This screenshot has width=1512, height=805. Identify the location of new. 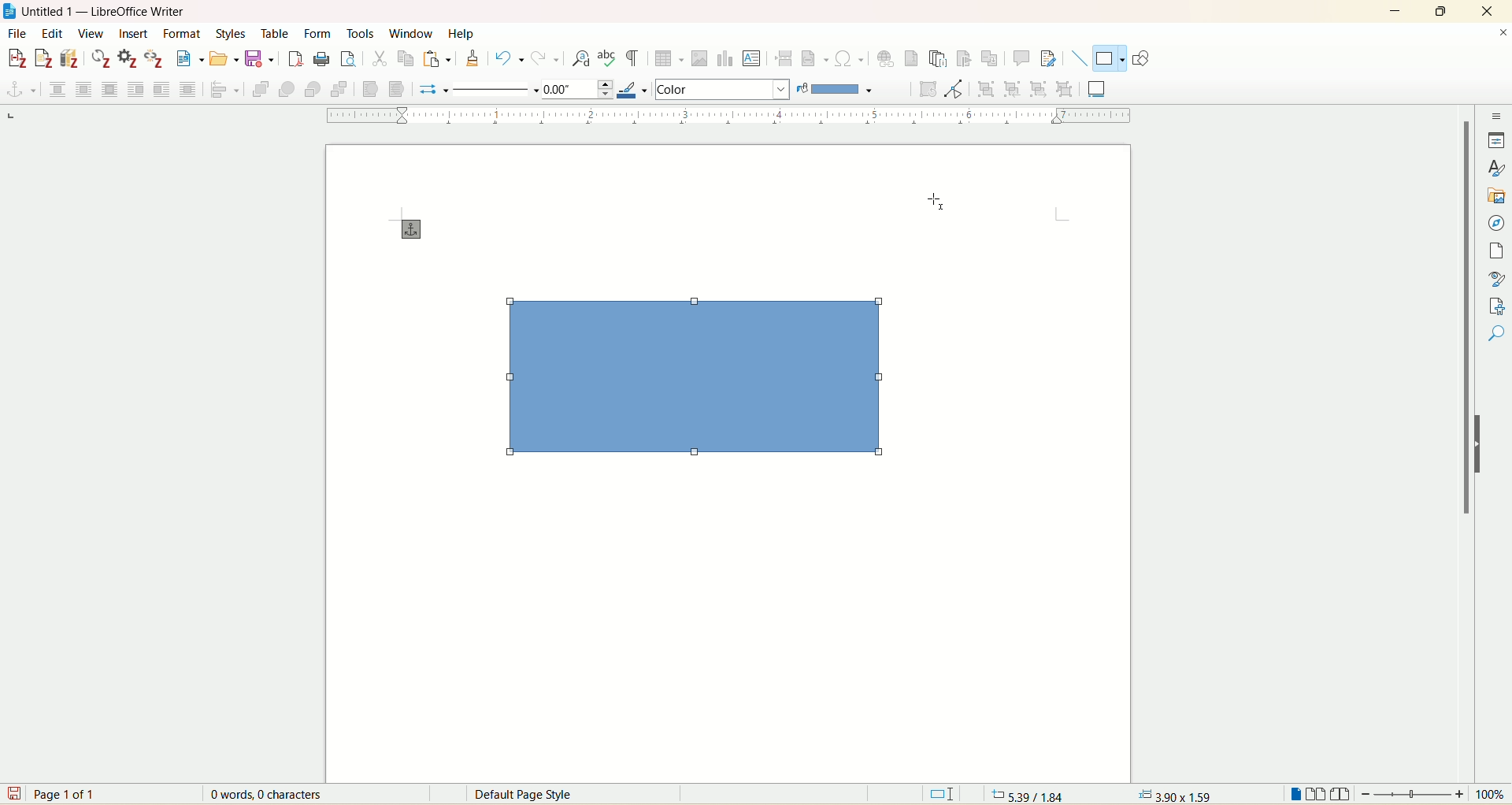
(190, 58).